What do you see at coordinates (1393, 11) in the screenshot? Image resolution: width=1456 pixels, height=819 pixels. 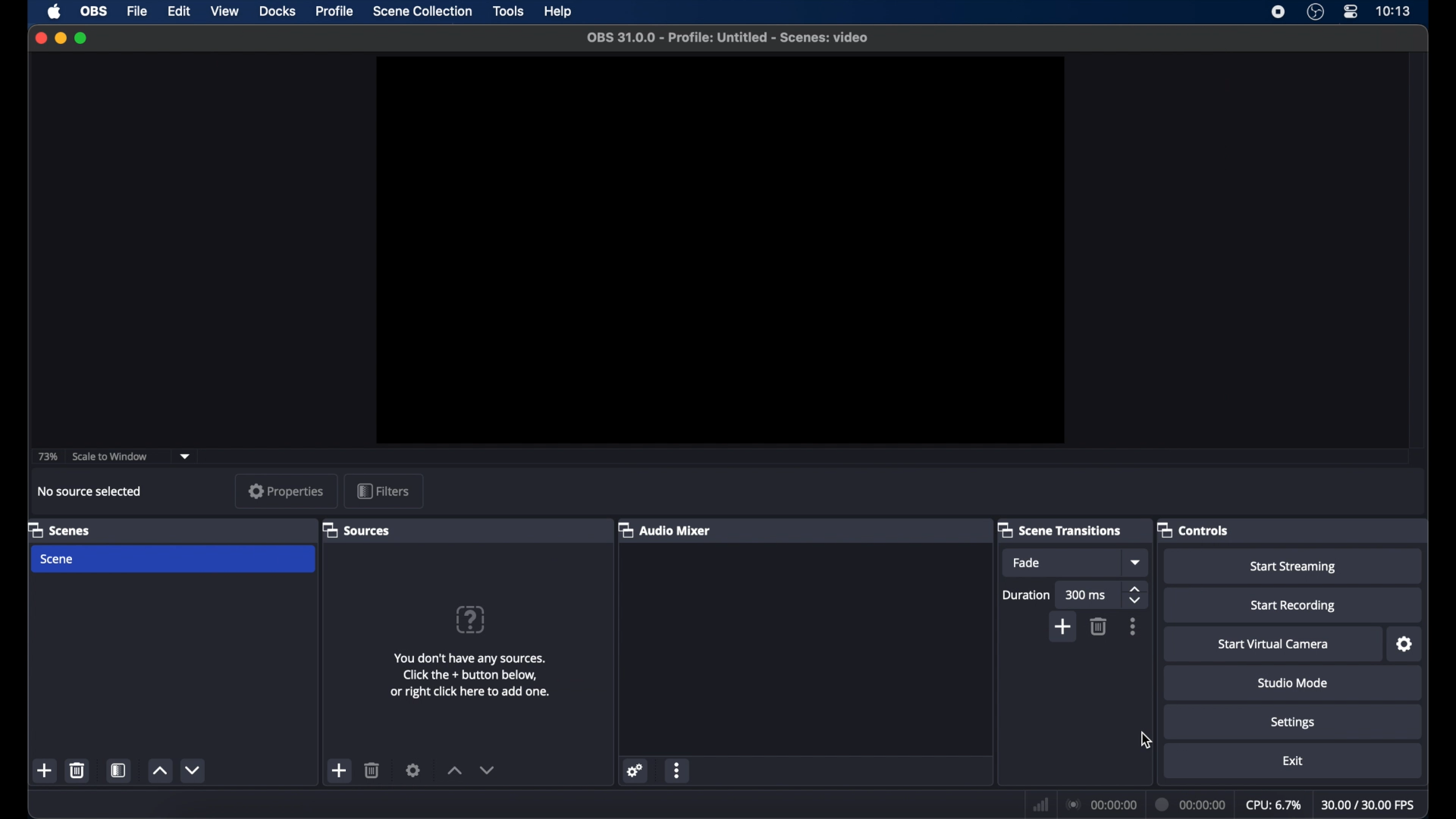 I see `time` at bounding box center [1393, 11].